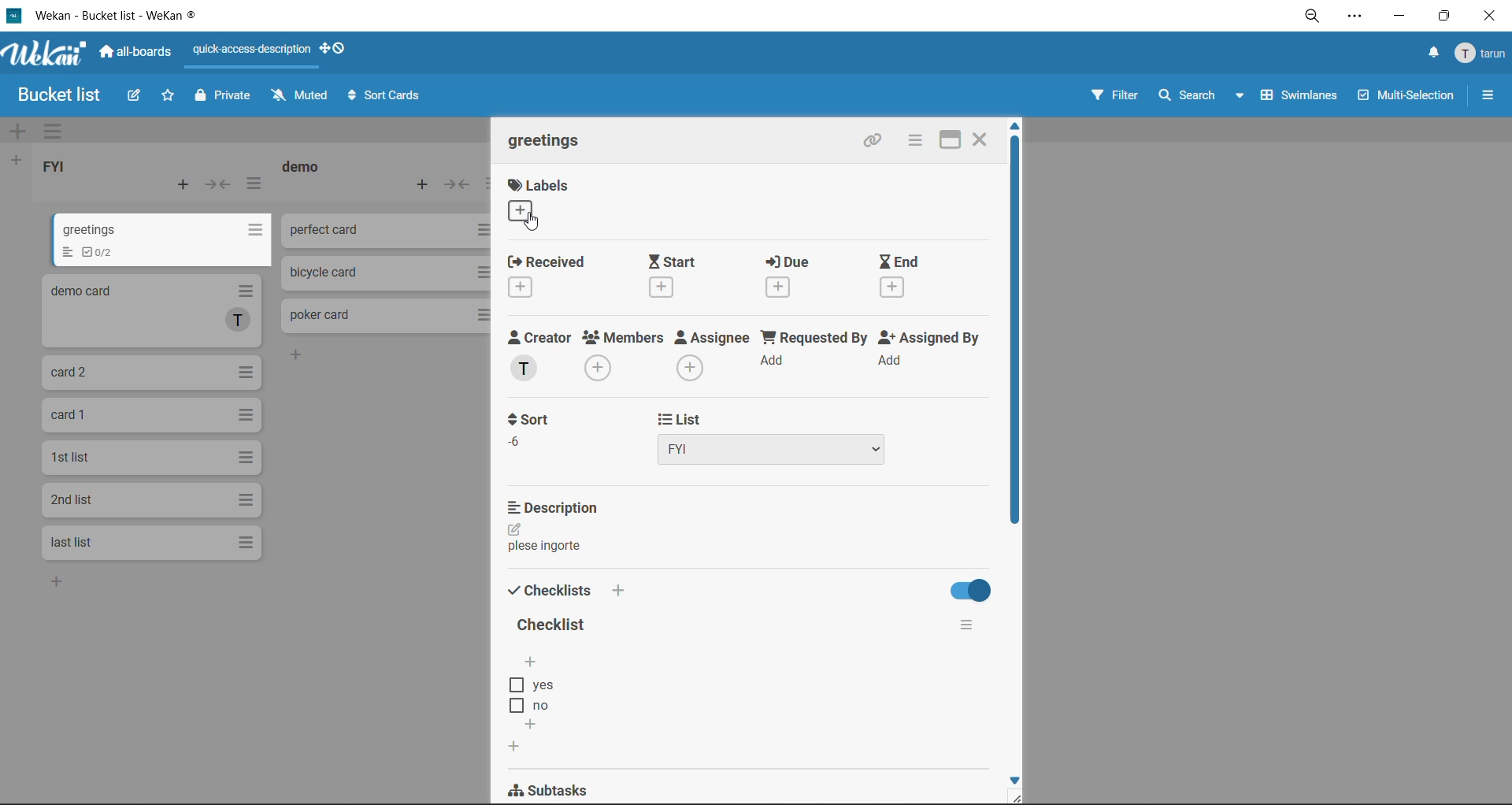 The height and width of the screenshot is (805, 1512). Describe the element at coordinates (1491, 16) in the screenshot. I see `close` at that location.